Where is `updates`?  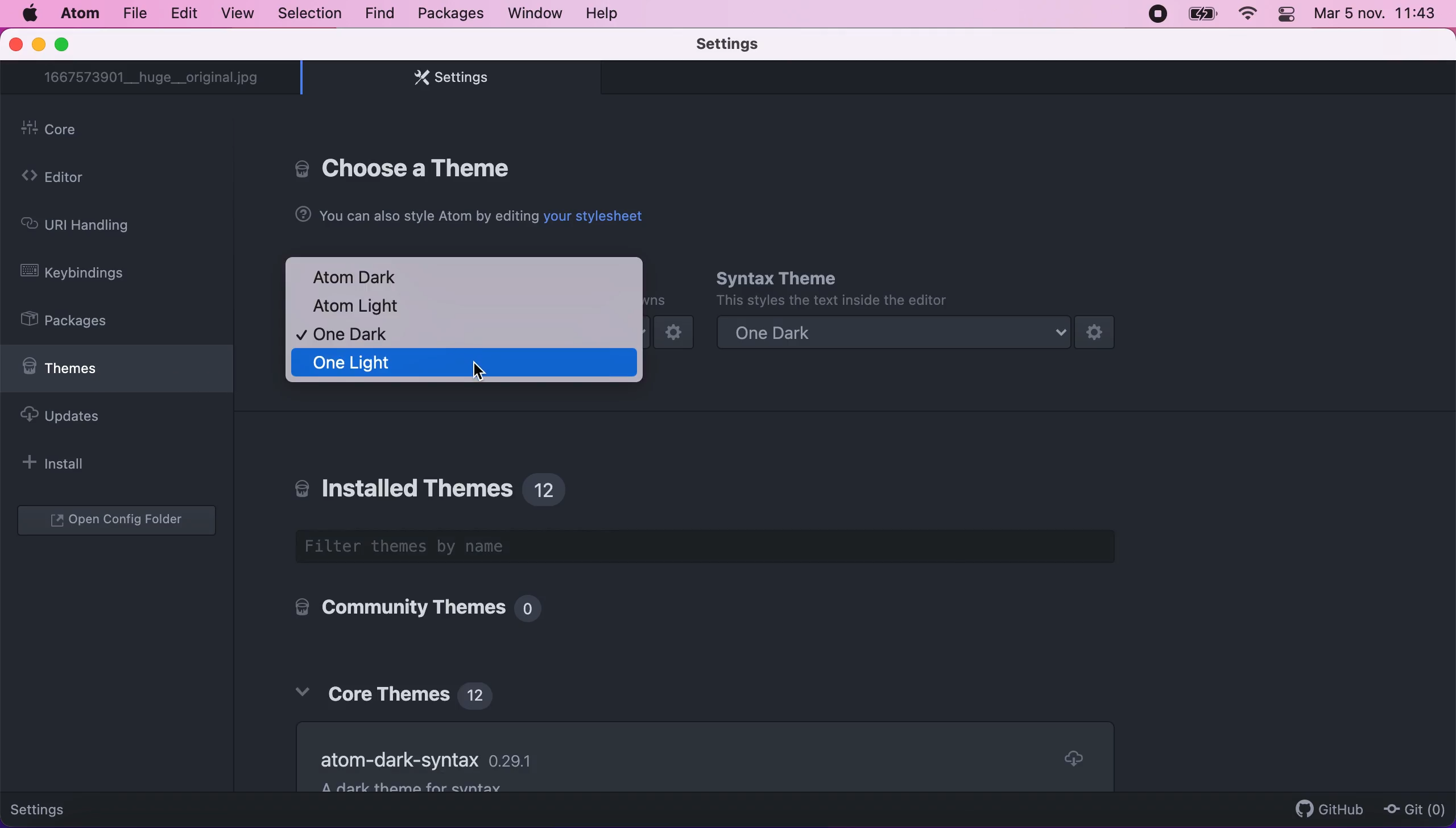 updates is located at coordinates (97, 421).